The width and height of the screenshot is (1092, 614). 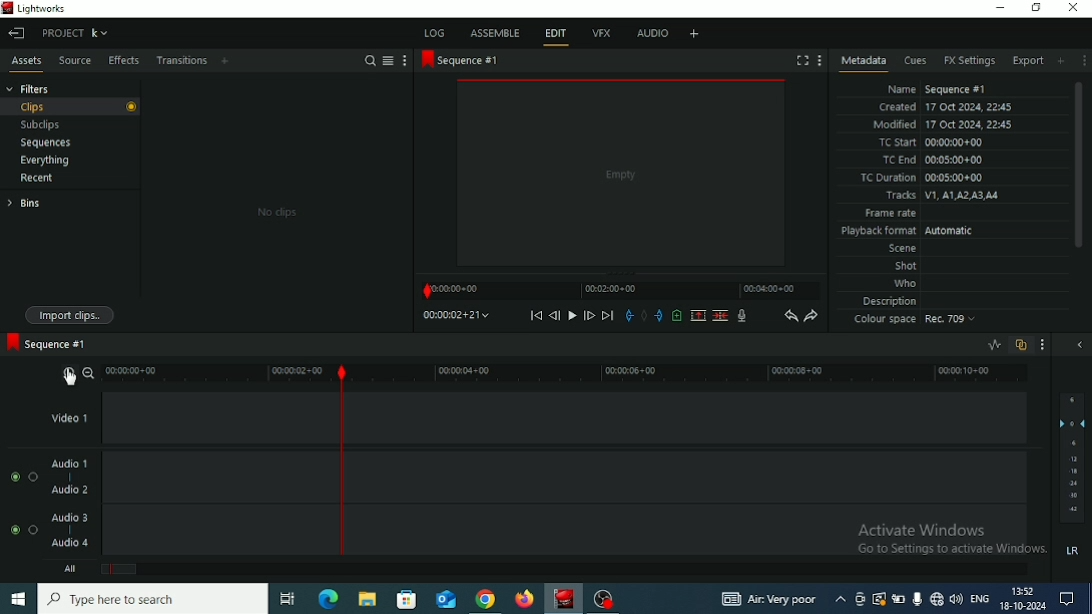 I want to click on Show settings menu, so click(x=820, y=60).